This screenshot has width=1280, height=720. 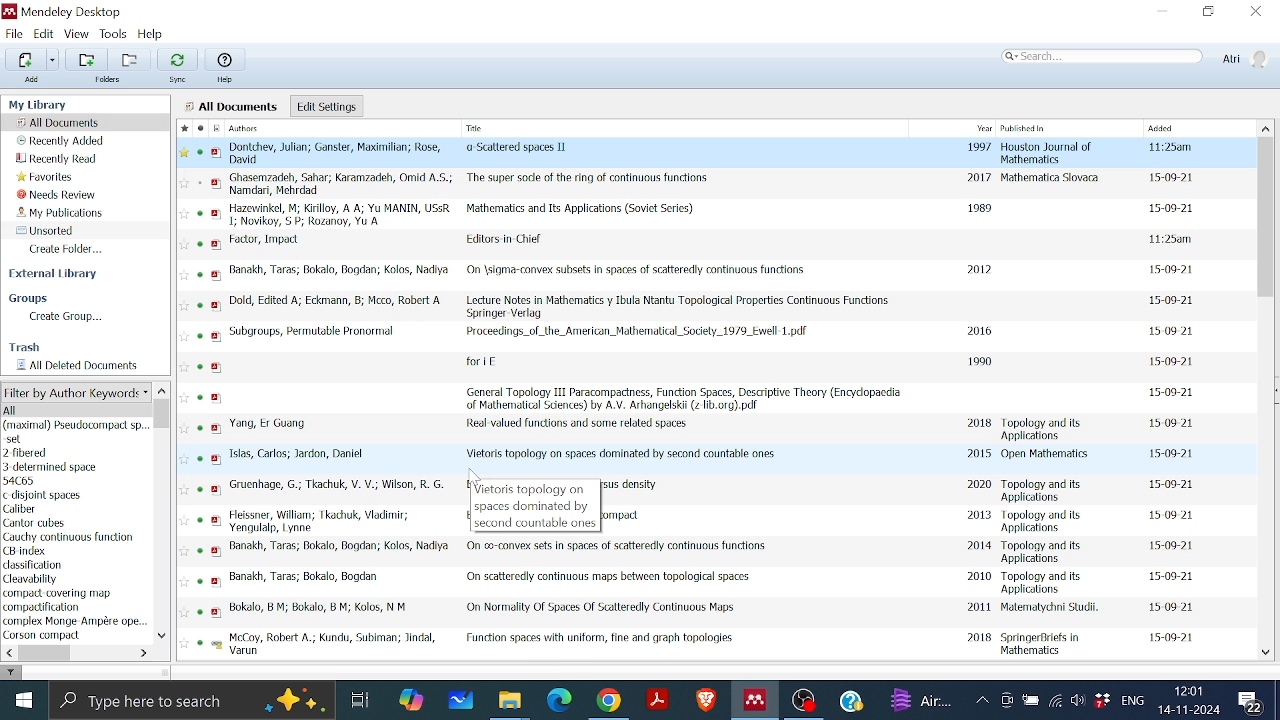 I want to click on date, so click(x=1171, y=454).